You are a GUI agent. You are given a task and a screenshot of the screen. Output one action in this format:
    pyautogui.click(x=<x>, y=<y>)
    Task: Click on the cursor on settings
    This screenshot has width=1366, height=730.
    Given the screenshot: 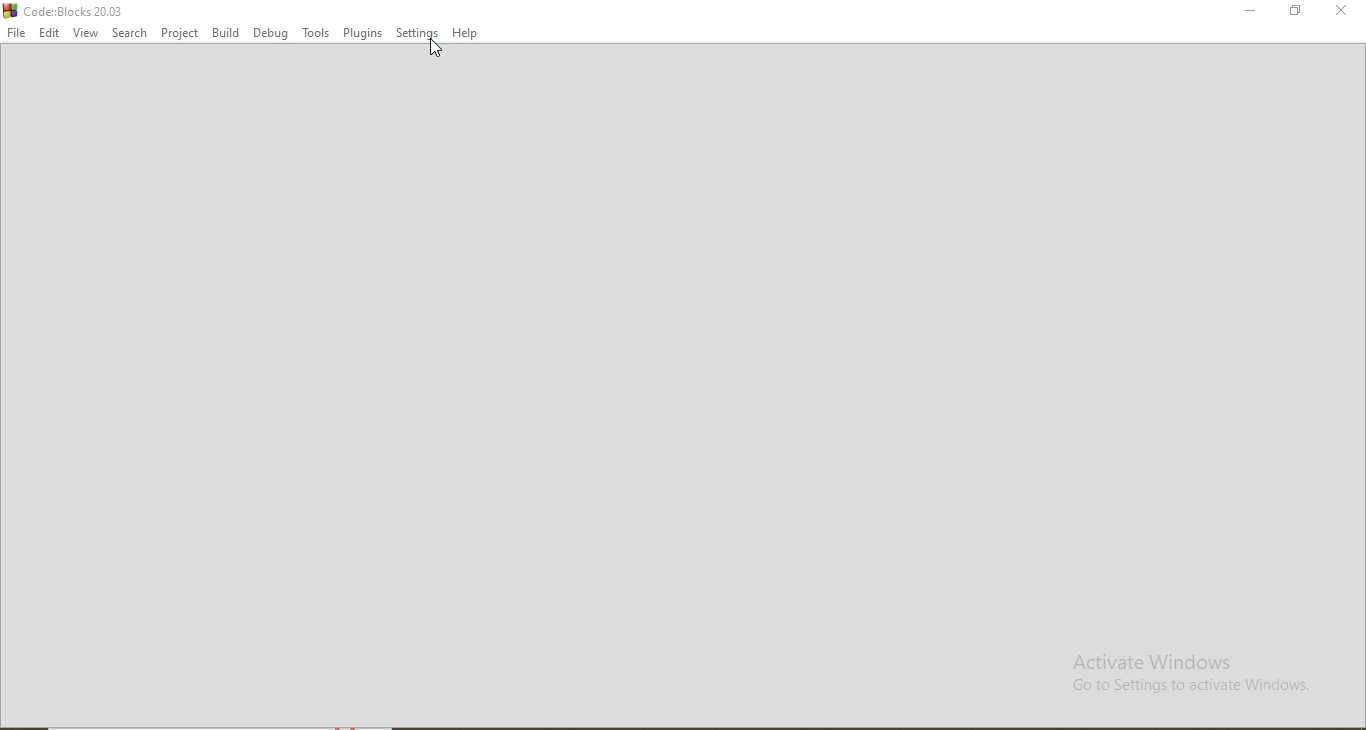 What is the action you would take?
    pyautogui.click(x=431, y=48)
    